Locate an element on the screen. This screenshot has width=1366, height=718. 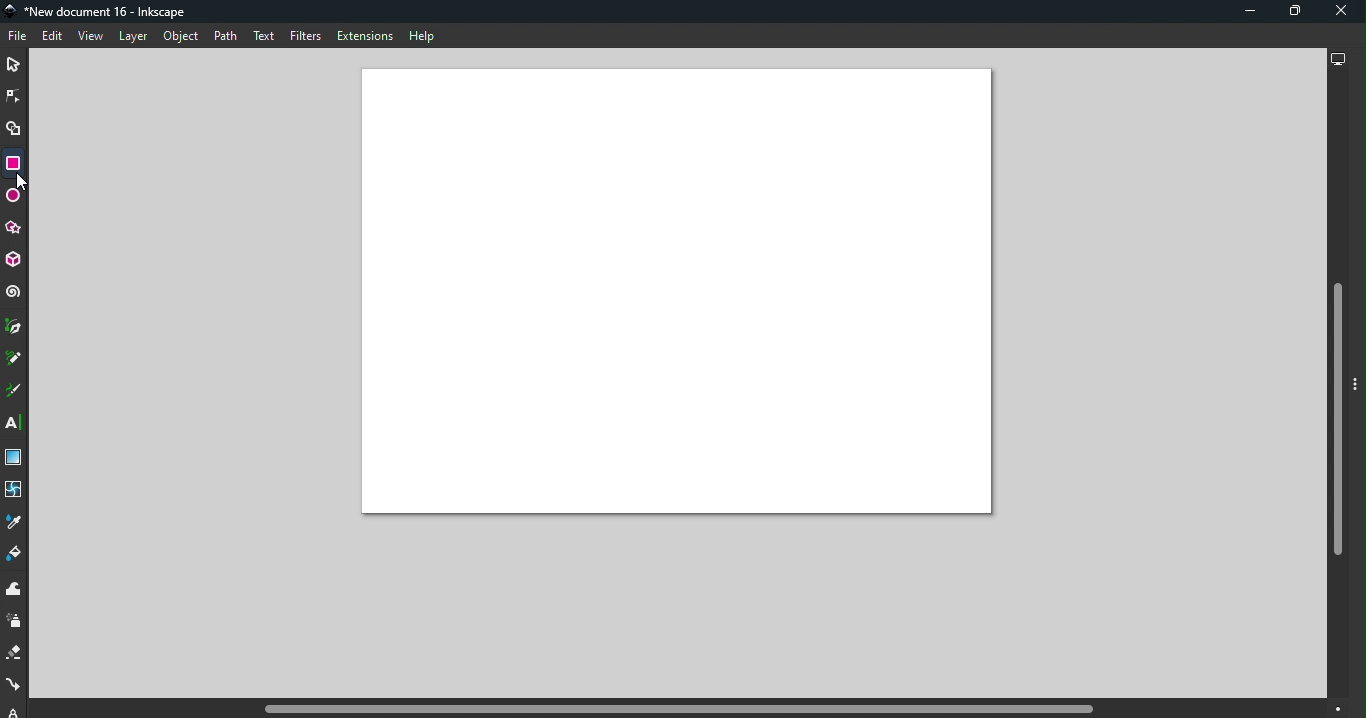
Canvas is located at coordinates (678, 292).